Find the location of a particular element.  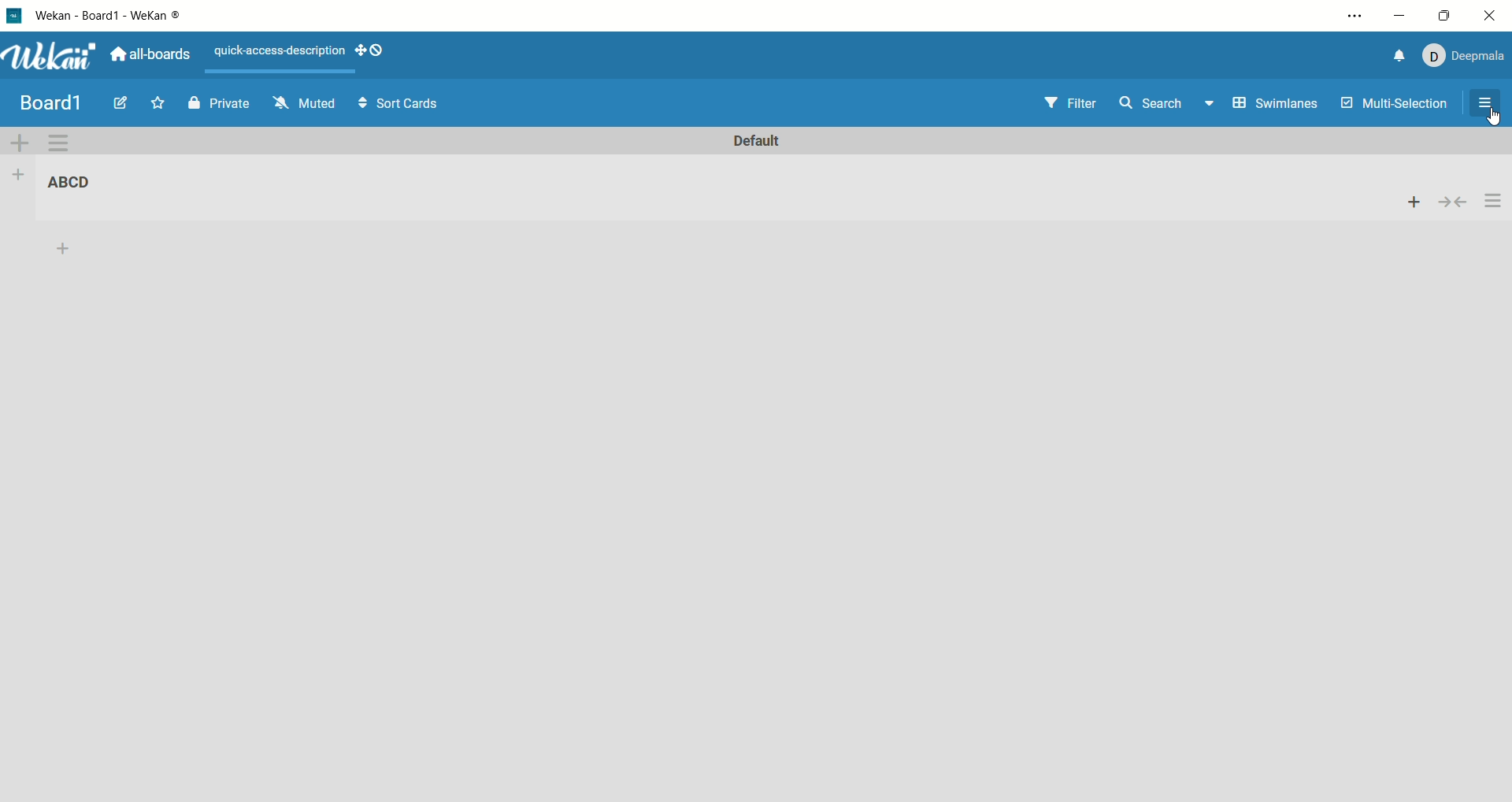

title is located at coordinates (111, 15).